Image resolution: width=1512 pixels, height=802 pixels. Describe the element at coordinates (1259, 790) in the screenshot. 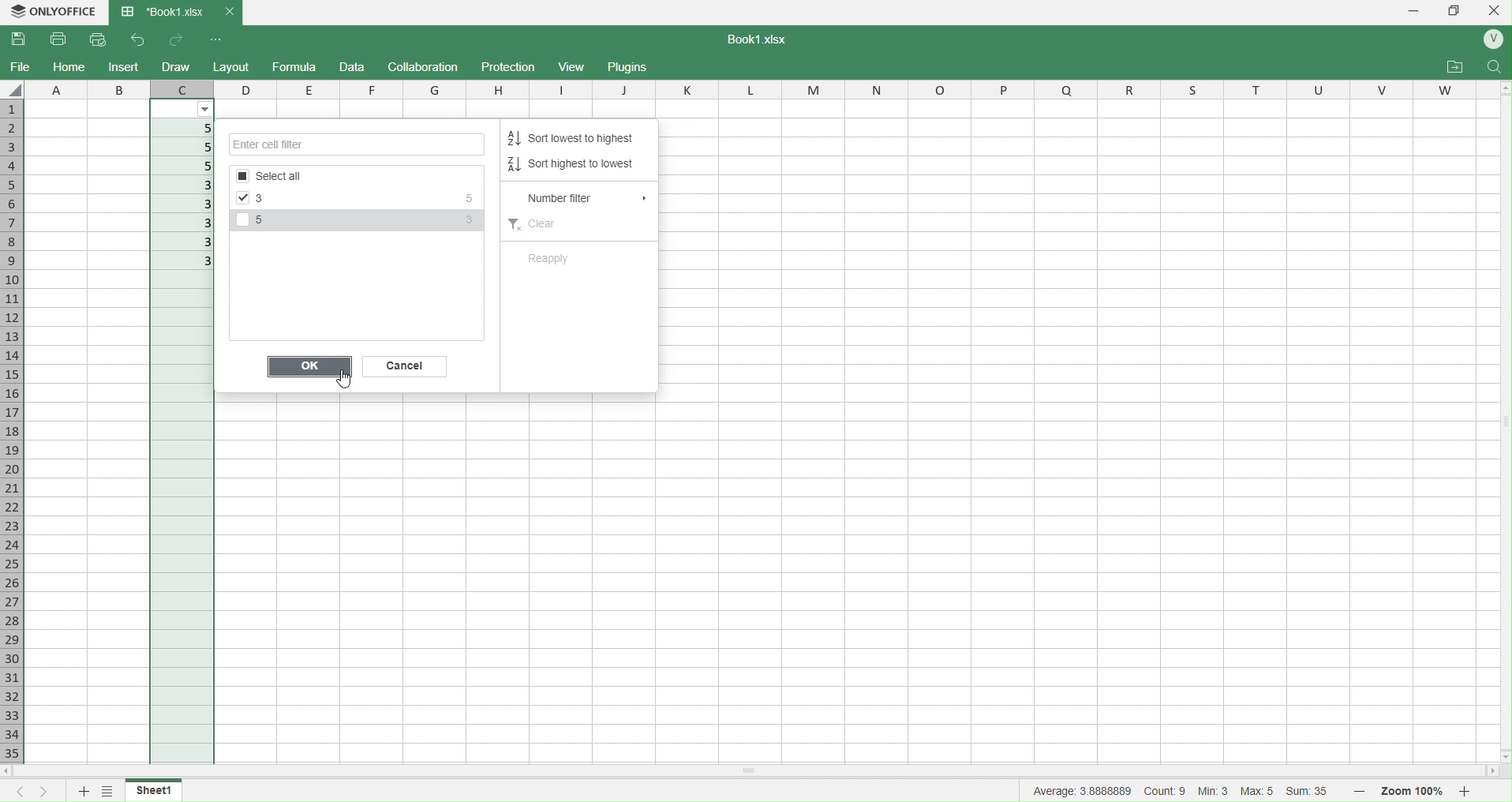

I see `Max` at that location.